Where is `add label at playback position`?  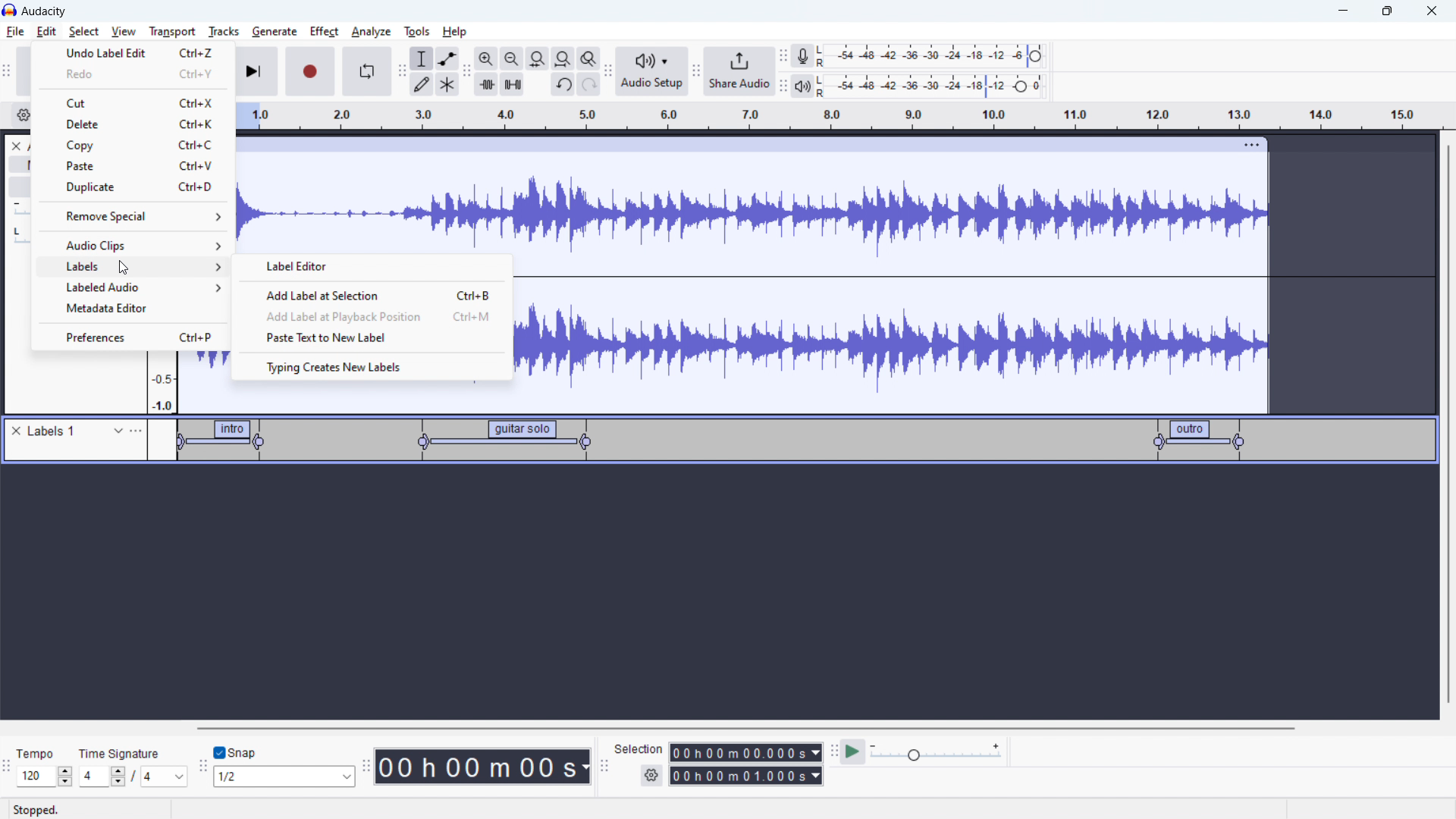
add label at playback position is located at coordinates (371, 317).